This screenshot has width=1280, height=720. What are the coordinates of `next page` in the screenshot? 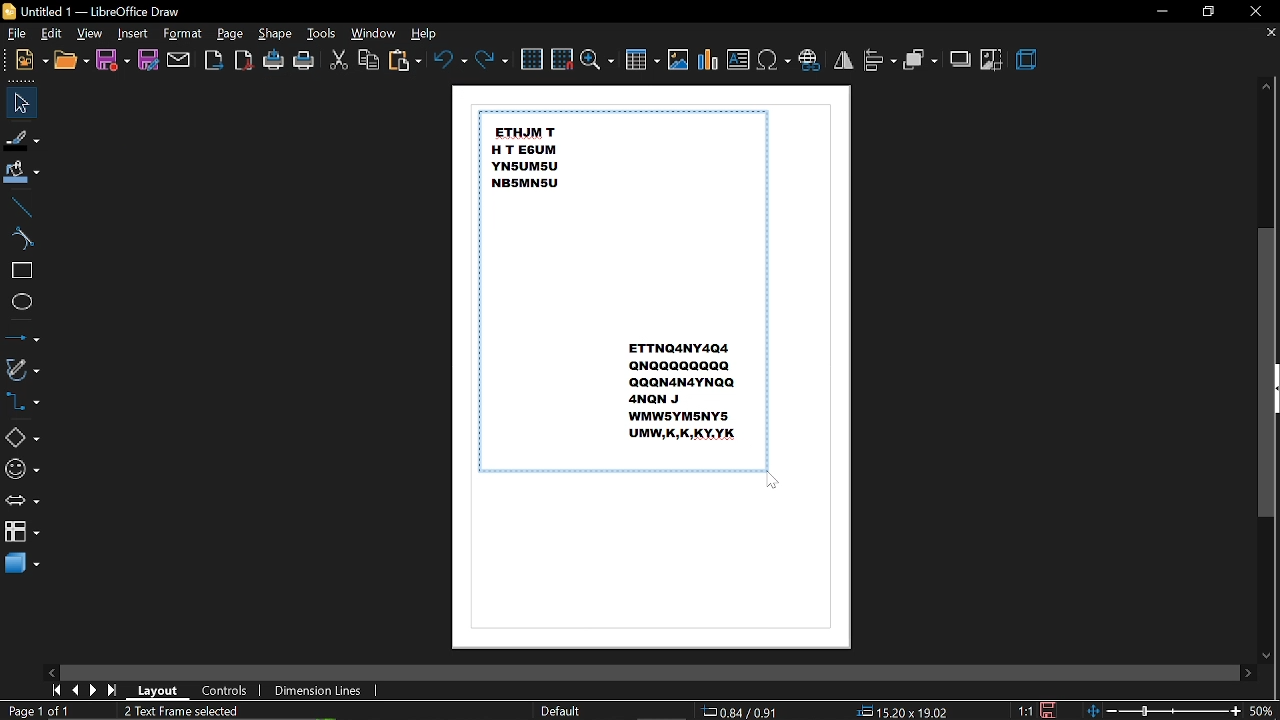 It's located at (96, 690).